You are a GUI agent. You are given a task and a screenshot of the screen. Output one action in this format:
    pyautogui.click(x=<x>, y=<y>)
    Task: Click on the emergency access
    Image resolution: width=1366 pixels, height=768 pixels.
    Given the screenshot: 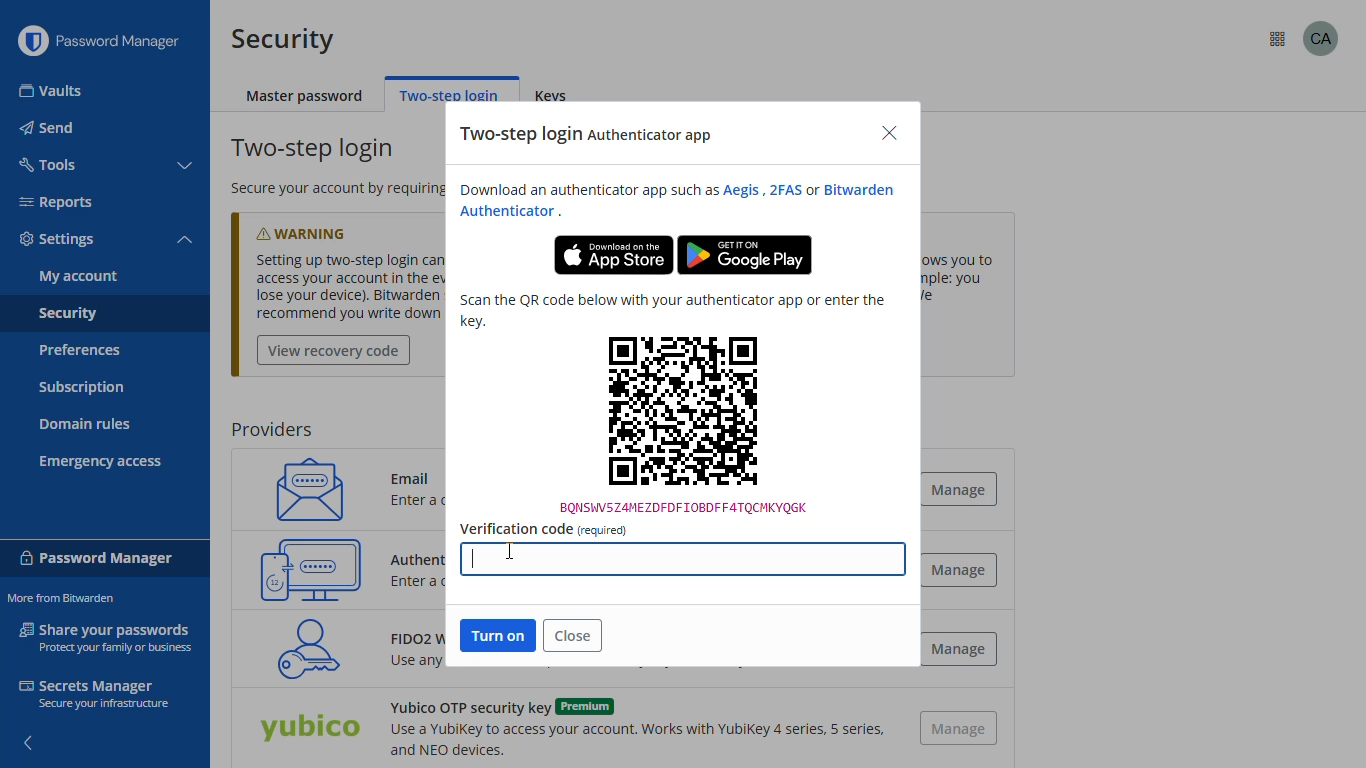 What is the action you would take?
    pyautogui.click(x=101, y=462)
    